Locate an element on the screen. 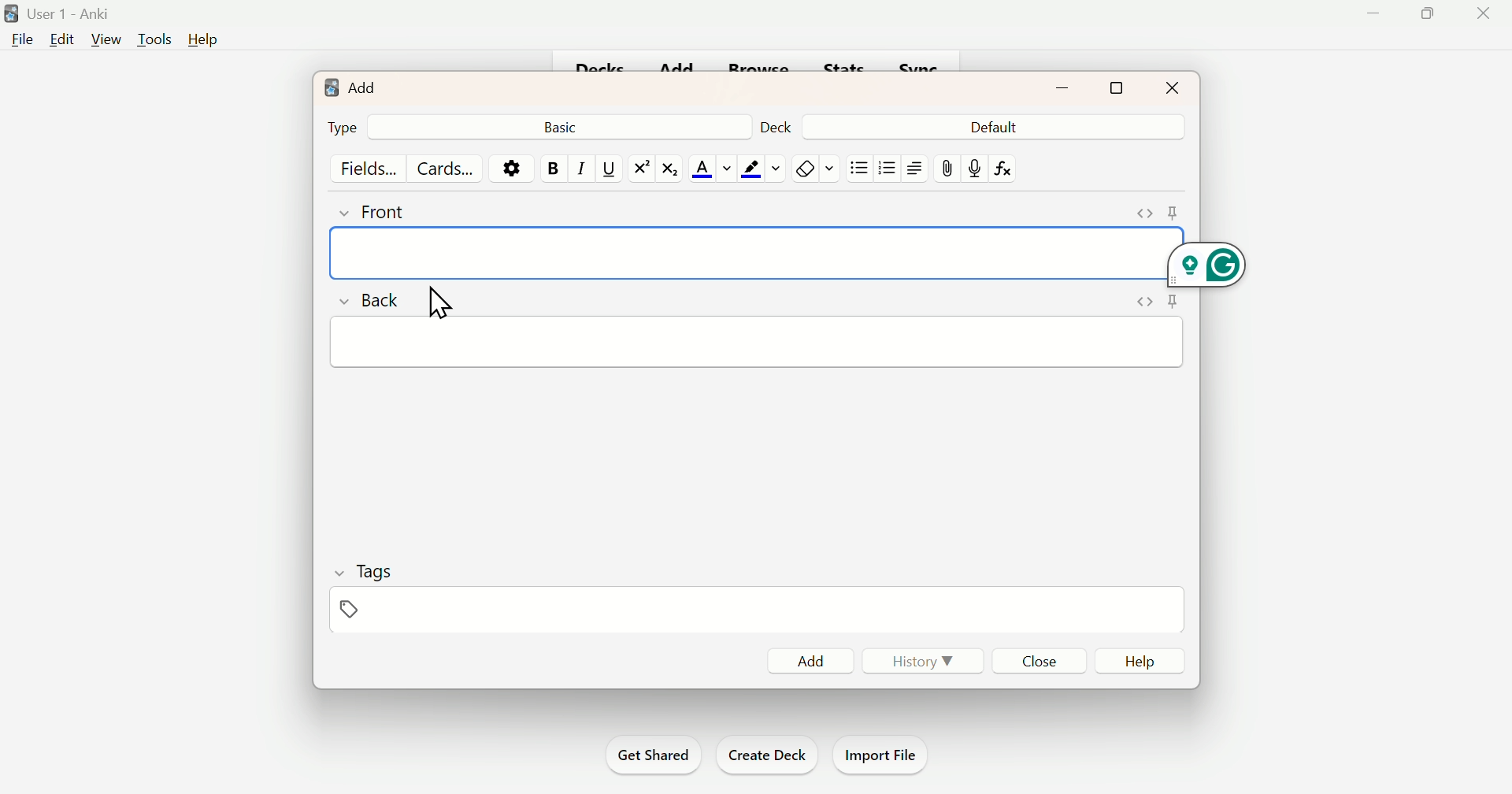 This screenshot has width=1512, height=794. Create Deck is located at coordinates (766, 755).